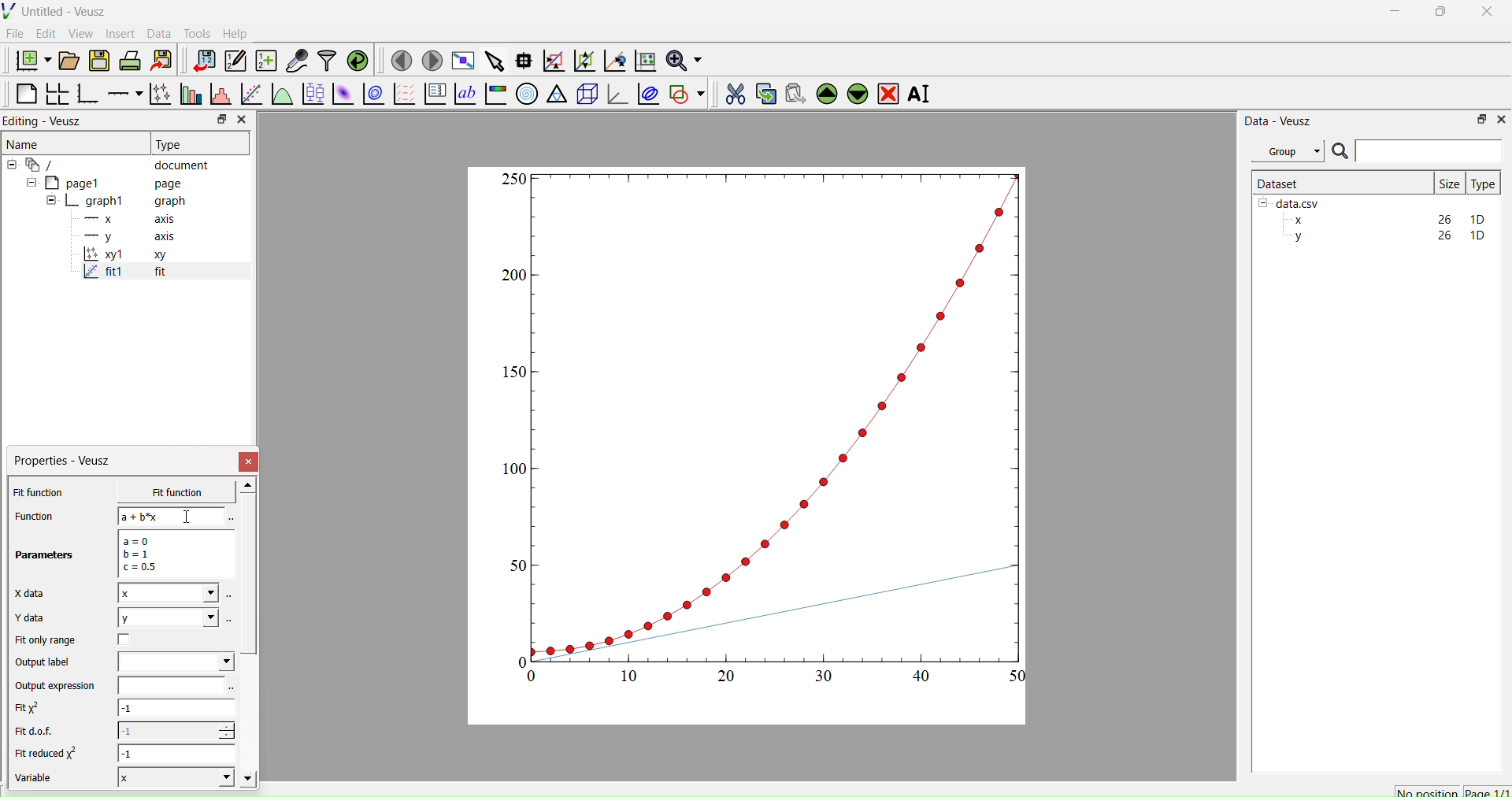 The width and height of the screenshot is (1512, 797). I want to click on Open, so click(66, 61).